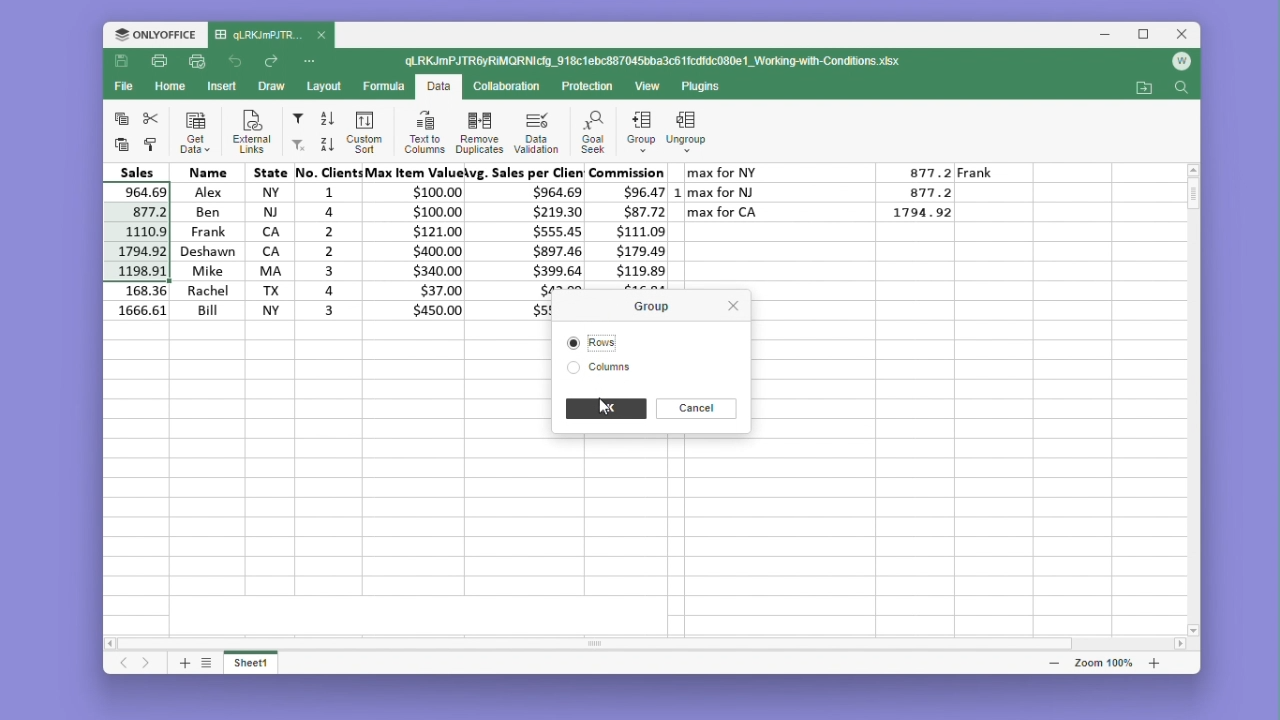  I want to click on Go forward, so click(271, 62).